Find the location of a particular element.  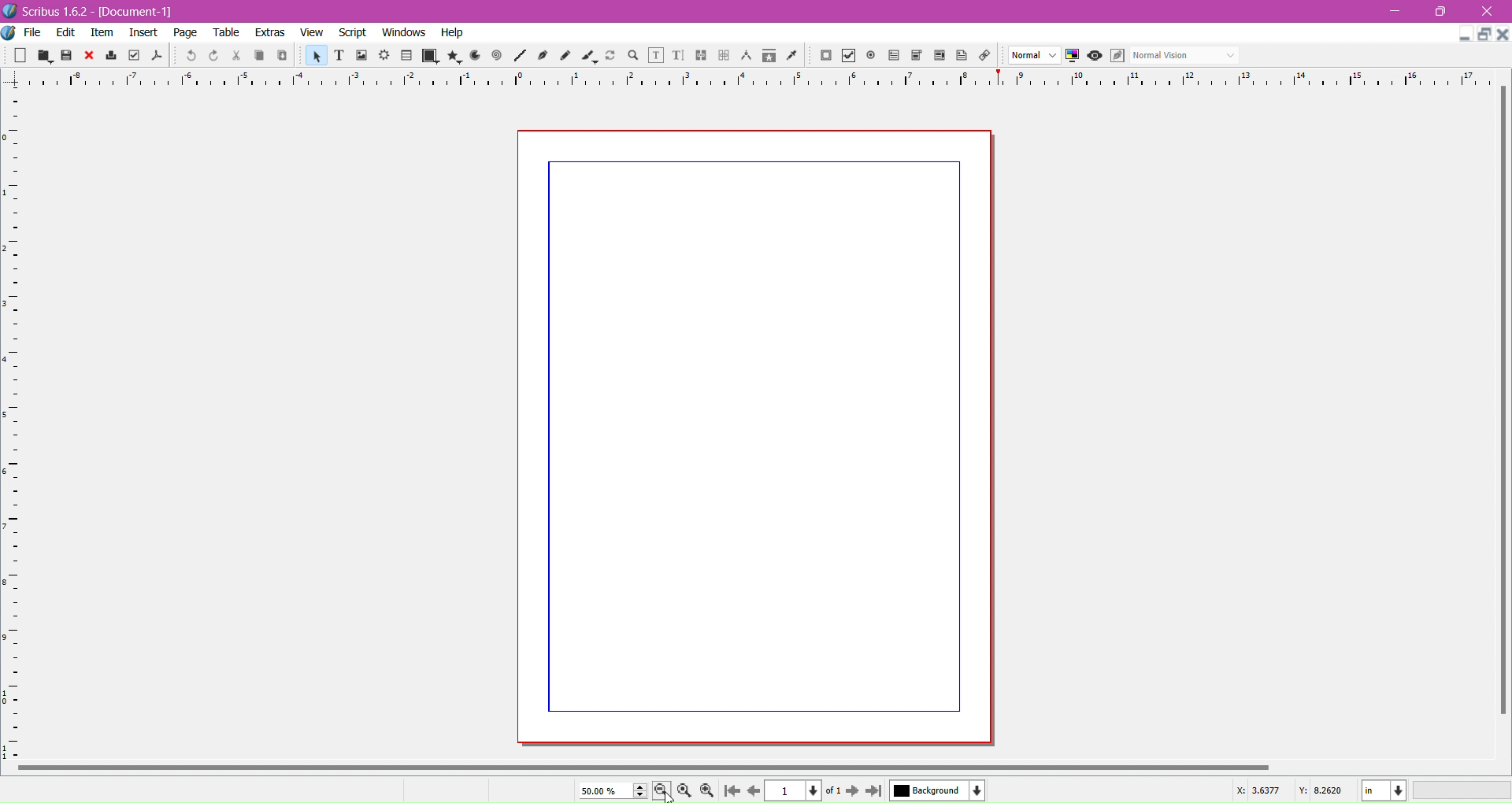

Item is located at coordinates (103, 33).